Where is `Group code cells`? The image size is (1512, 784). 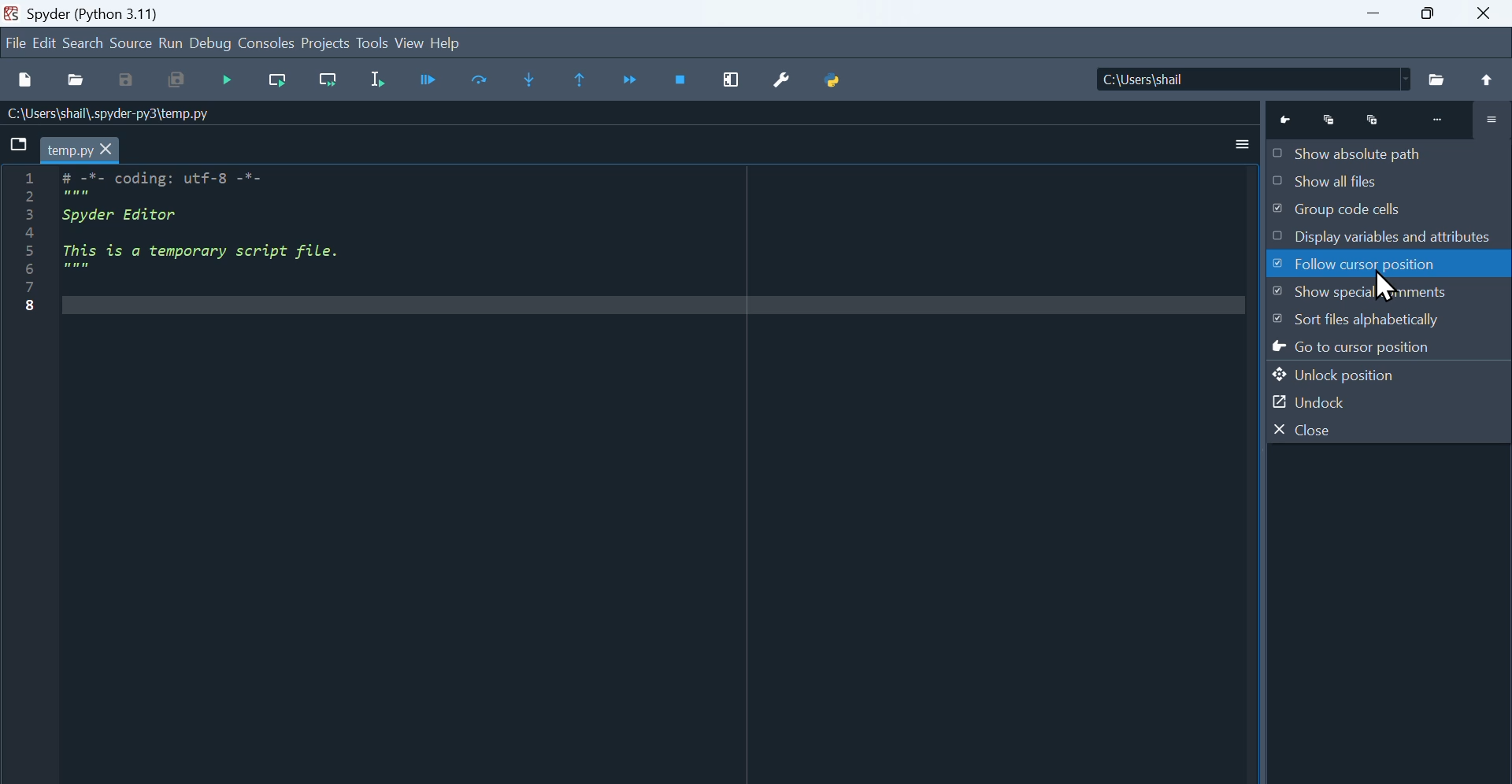
Group code cells is located at coordinates (1378, 213).